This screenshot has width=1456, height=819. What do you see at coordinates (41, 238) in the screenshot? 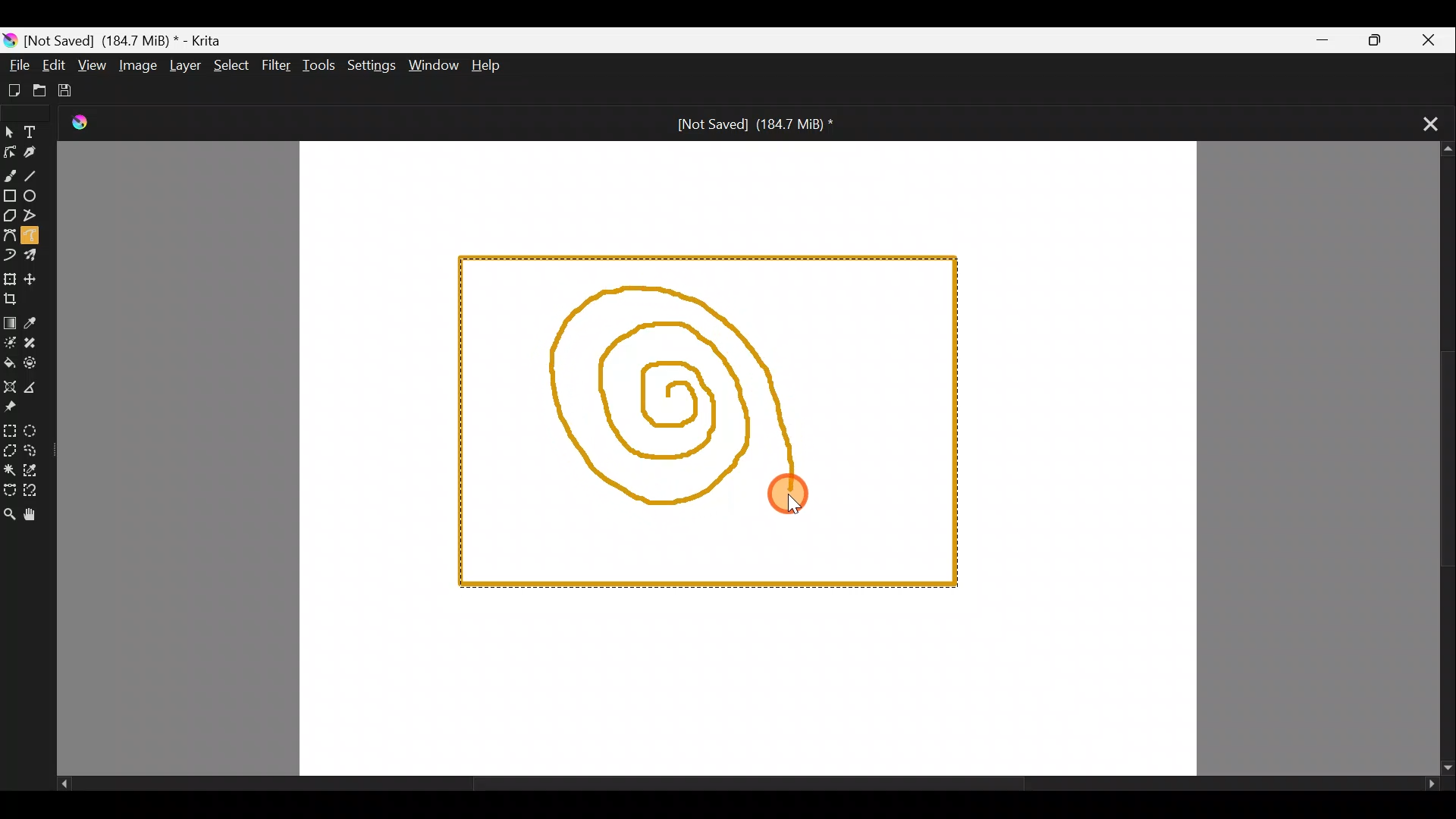
I see `Freehand path tool` at bounding box center [41, 238].